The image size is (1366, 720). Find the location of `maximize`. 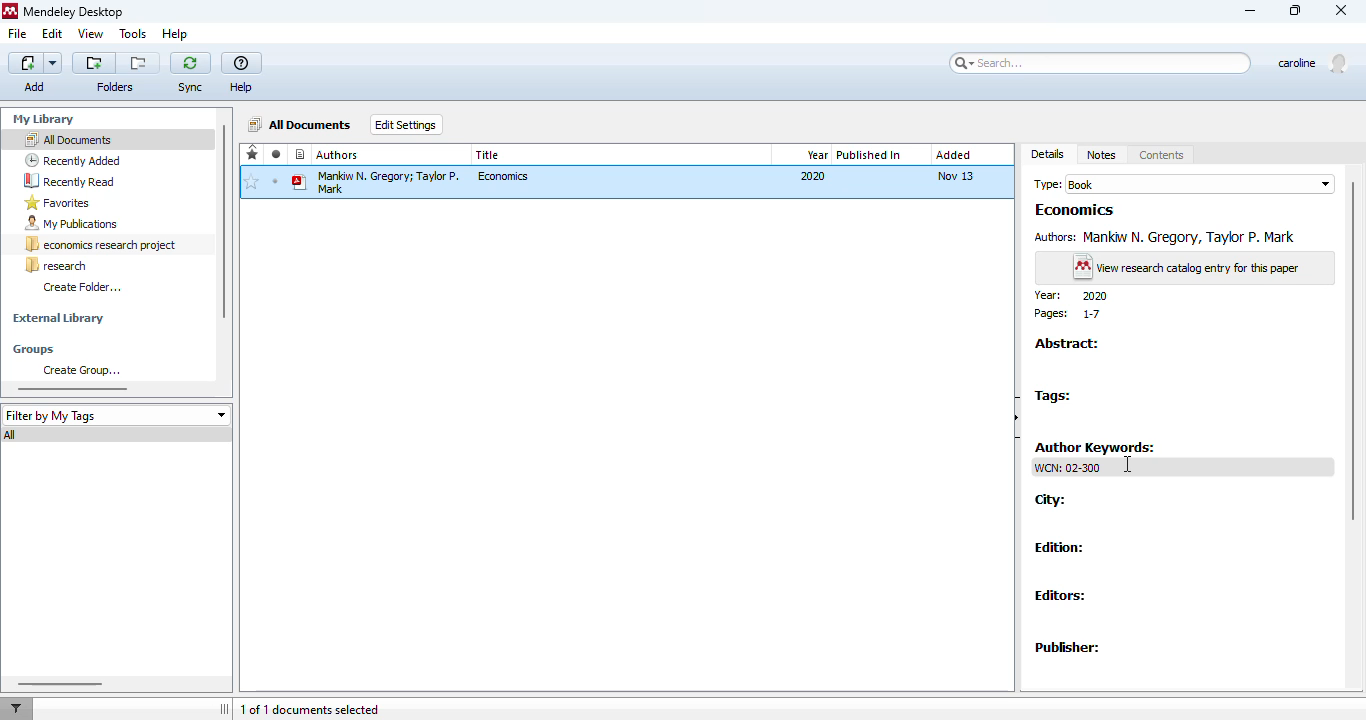

maximize is located at coordinates (1296, 11).